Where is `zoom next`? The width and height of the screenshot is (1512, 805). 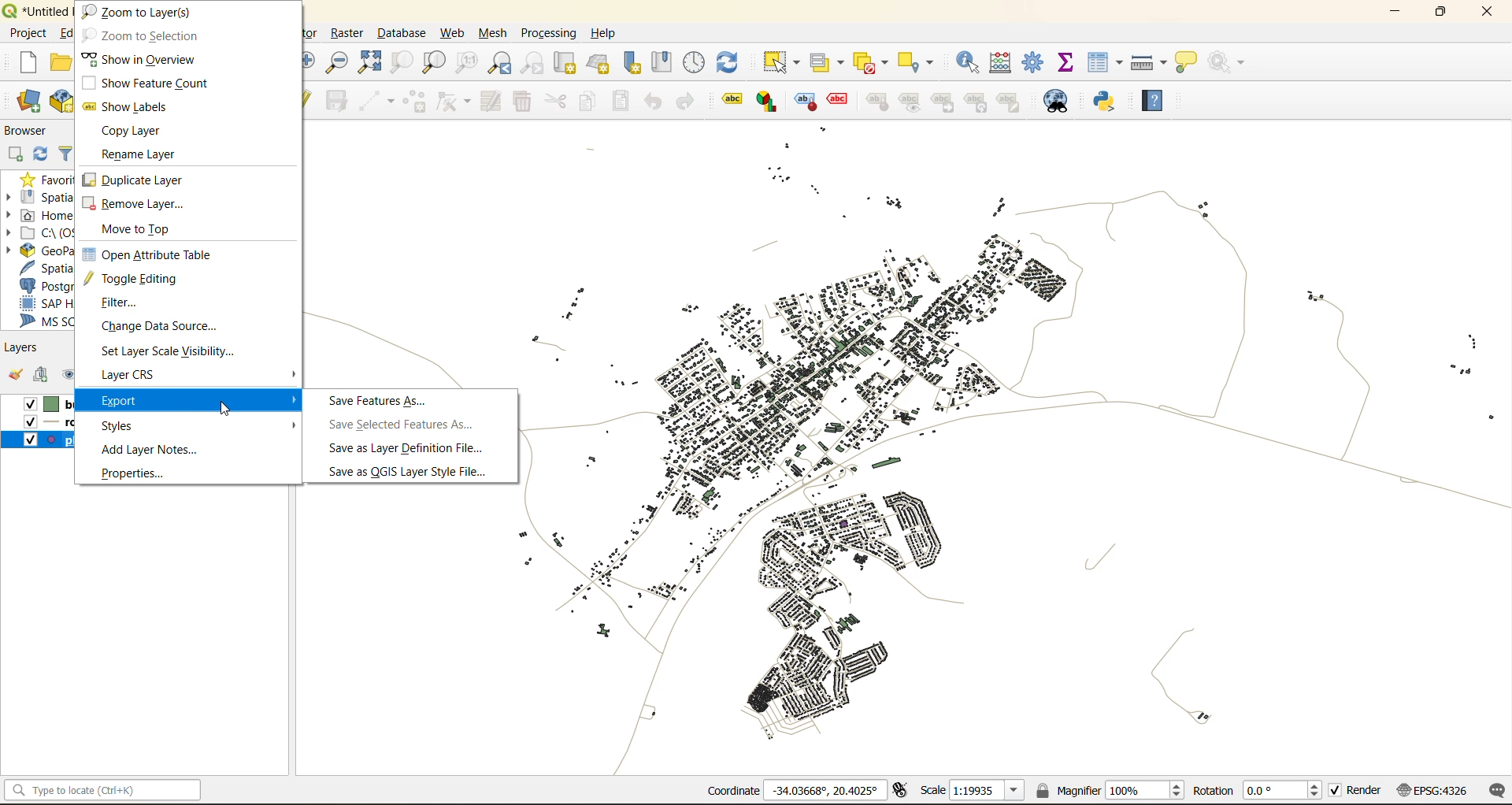 zoom next is located at coordinates (531, 63).